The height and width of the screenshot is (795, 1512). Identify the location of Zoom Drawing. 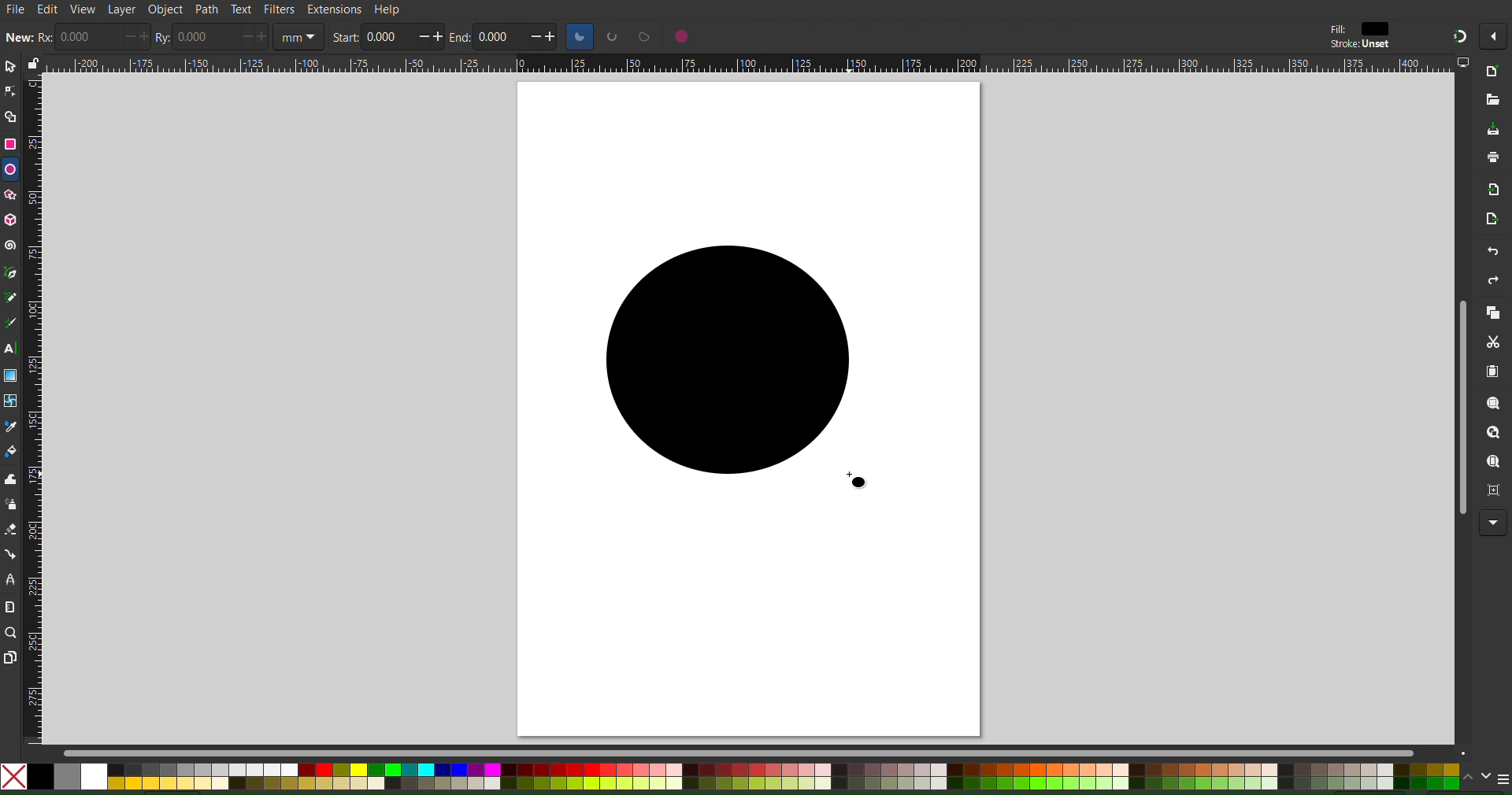
(1492, 433).